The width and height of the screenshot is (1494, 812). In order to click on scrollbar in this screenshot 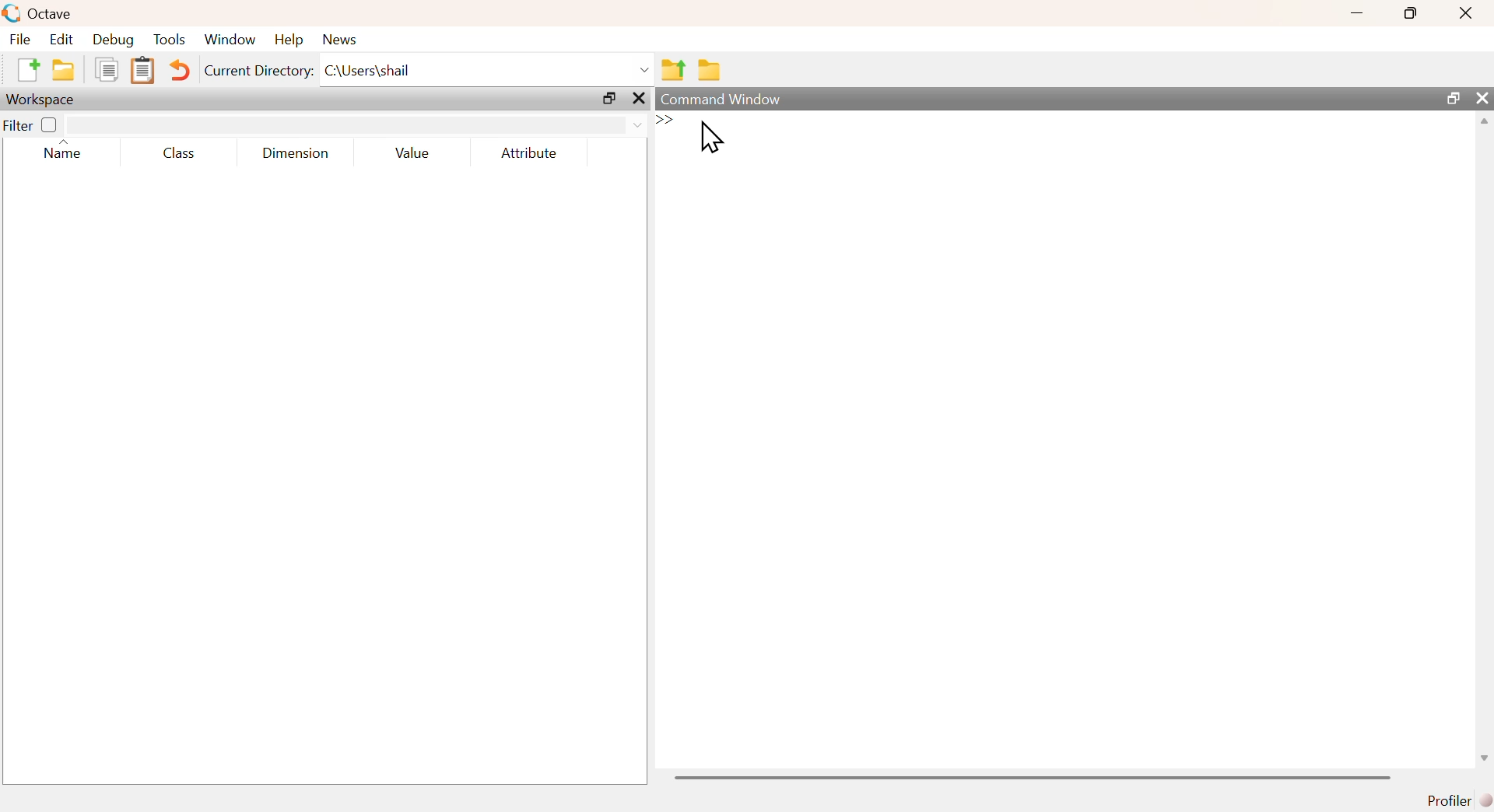, I will do `click(1485, 446)`.